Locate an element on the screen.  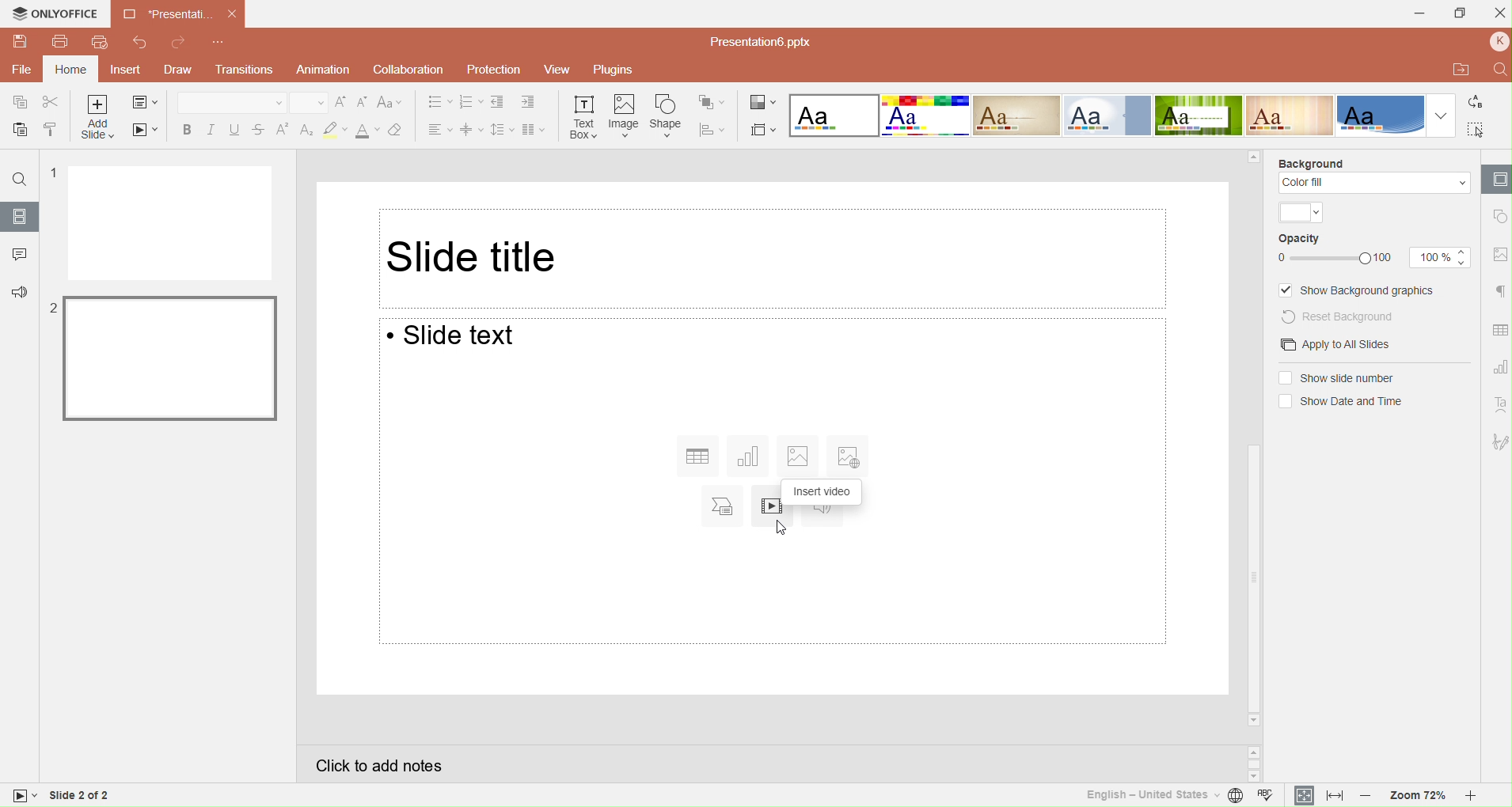
Collaboration is located at coordinates (409, 70).